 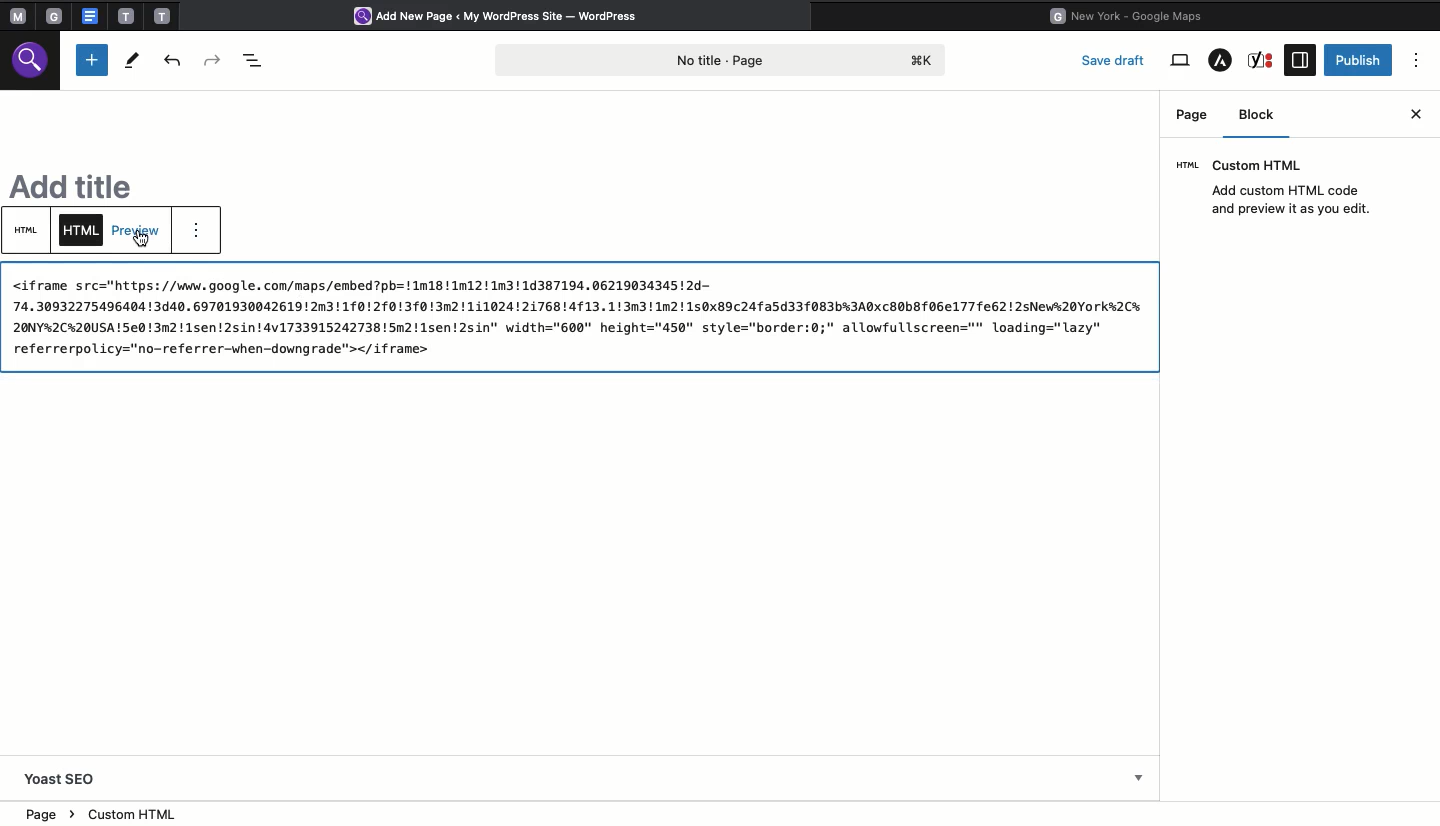 What do you see at coordinates (202, 234) in the screenshot?
I see `more` at bounding box center [202, 234].